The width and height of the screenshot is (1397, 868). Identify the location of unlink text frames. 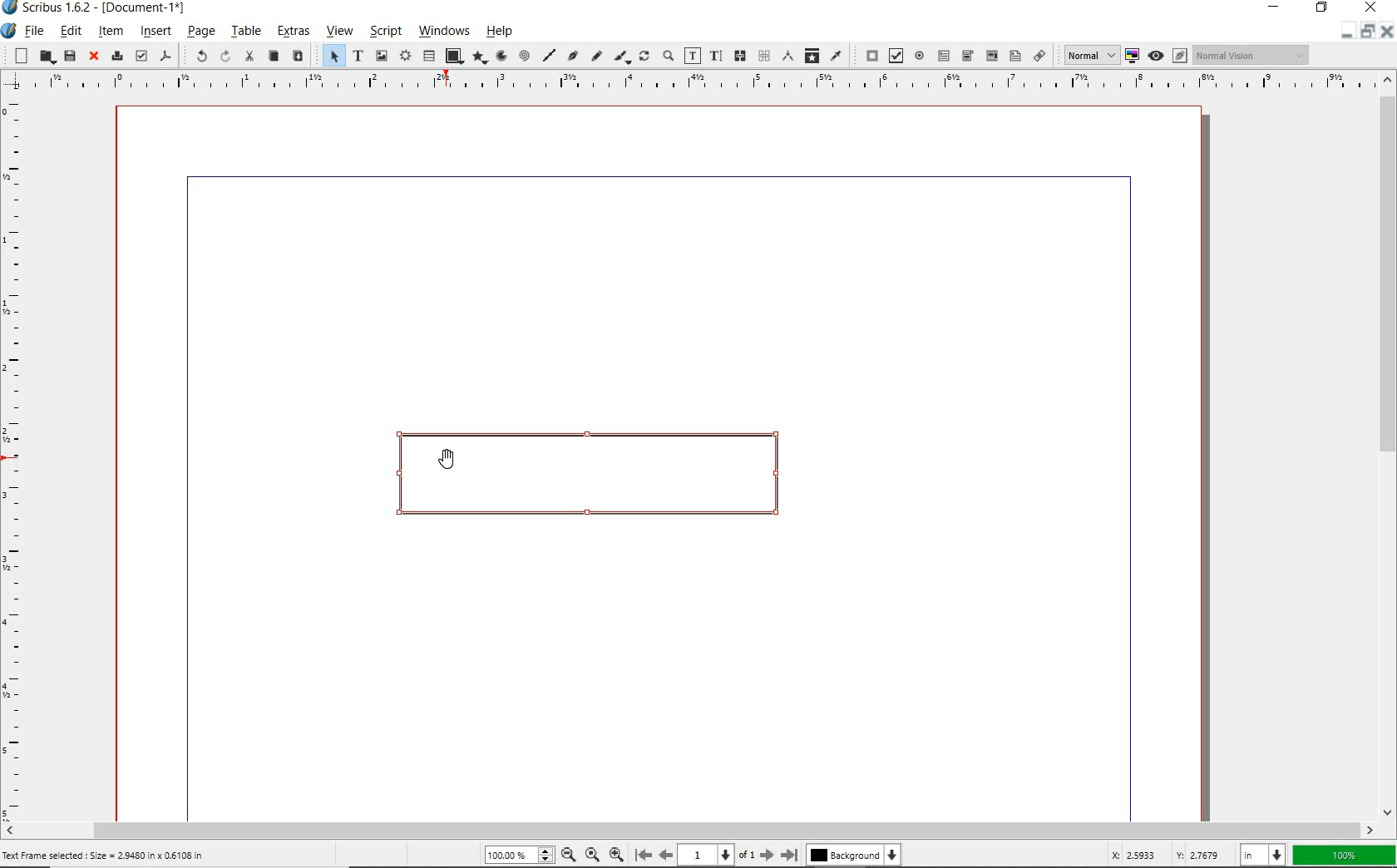
(763, 57).